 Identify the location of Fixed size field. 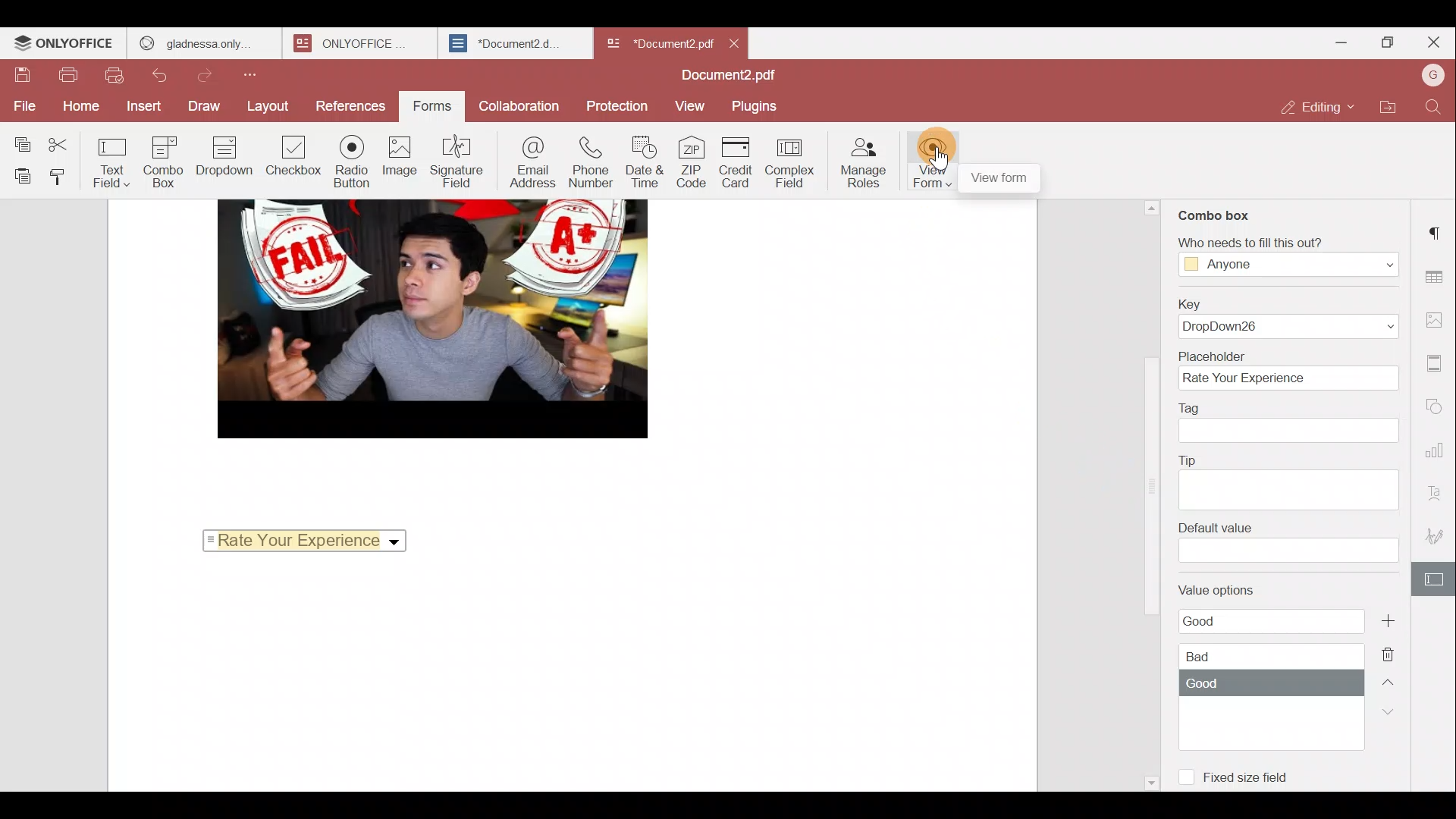
(1236, 773).